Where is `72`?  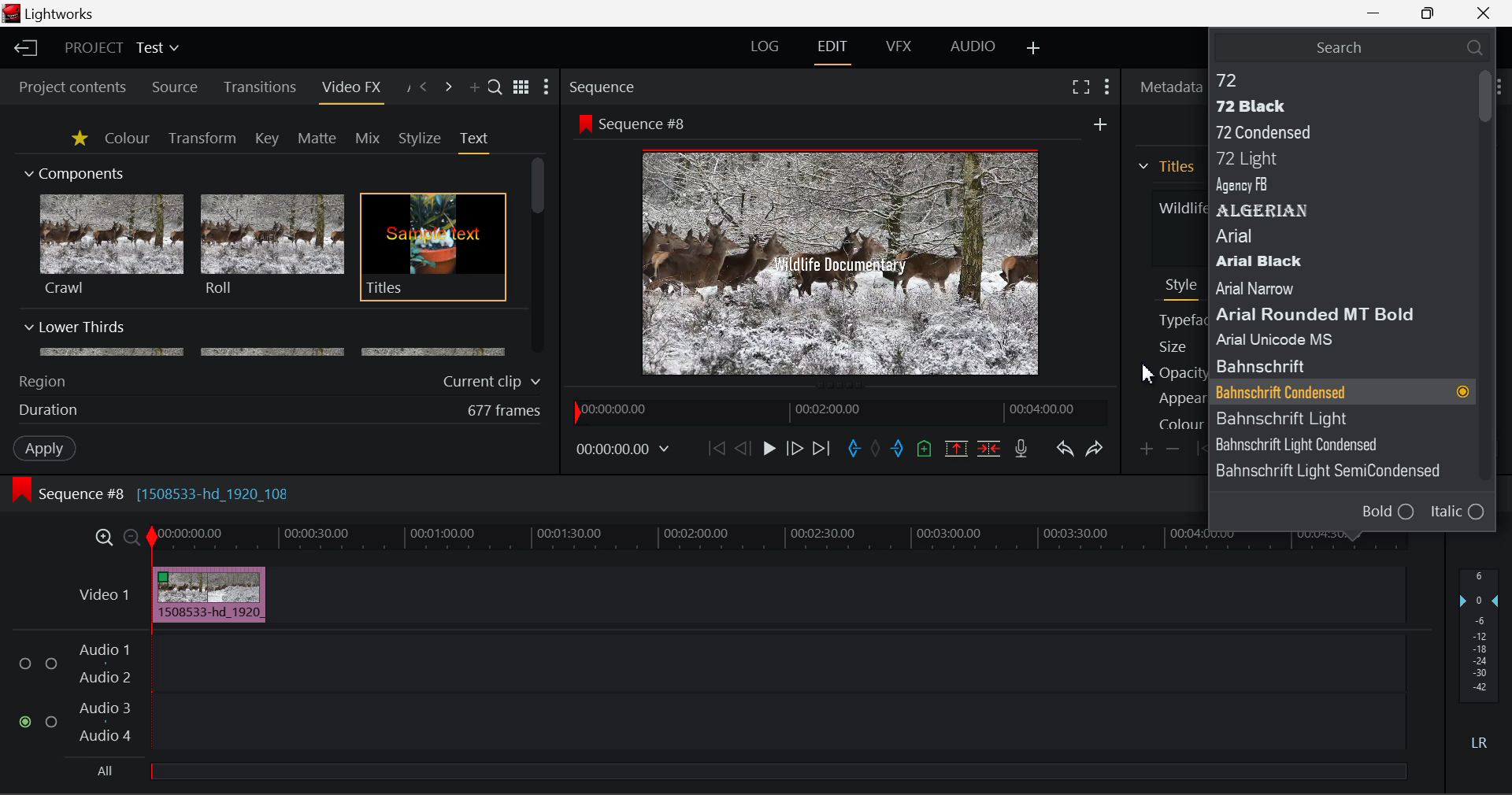 72 is located at coordinates (1329, 79).